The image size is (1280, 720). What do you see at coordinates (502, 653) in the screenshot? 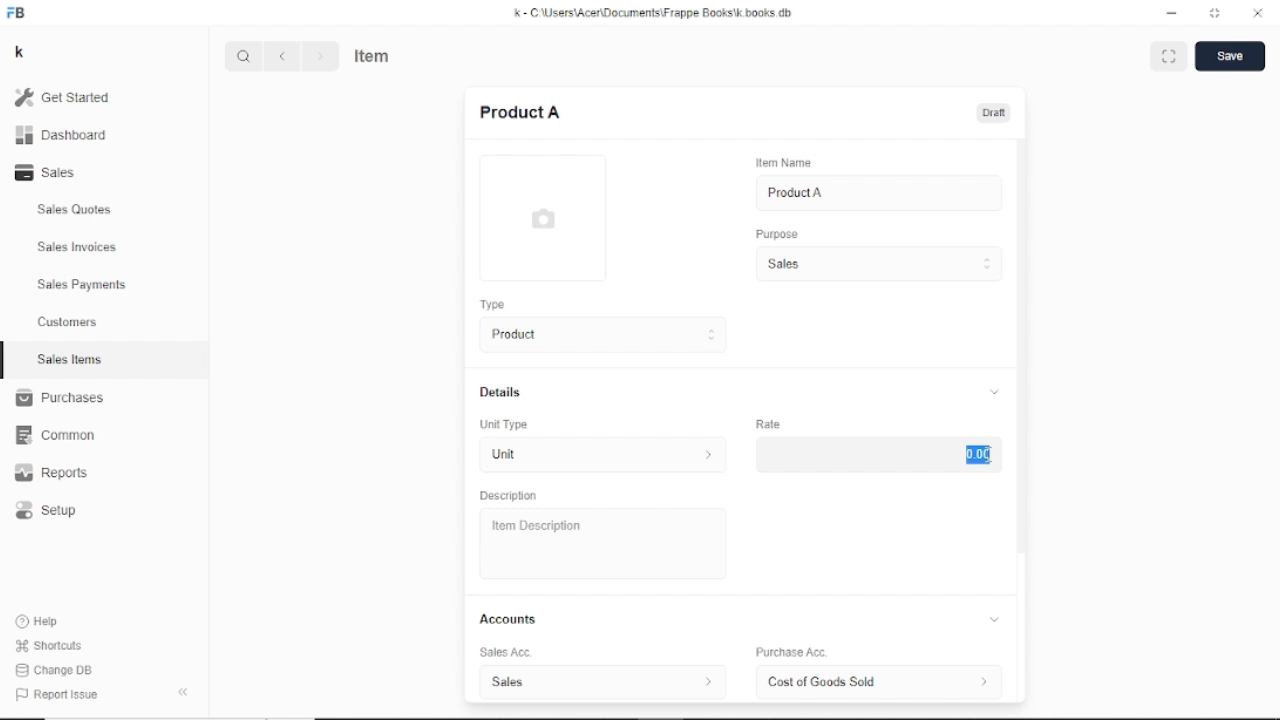
I see `Sales Acc.` at bounding box center [502, 653].